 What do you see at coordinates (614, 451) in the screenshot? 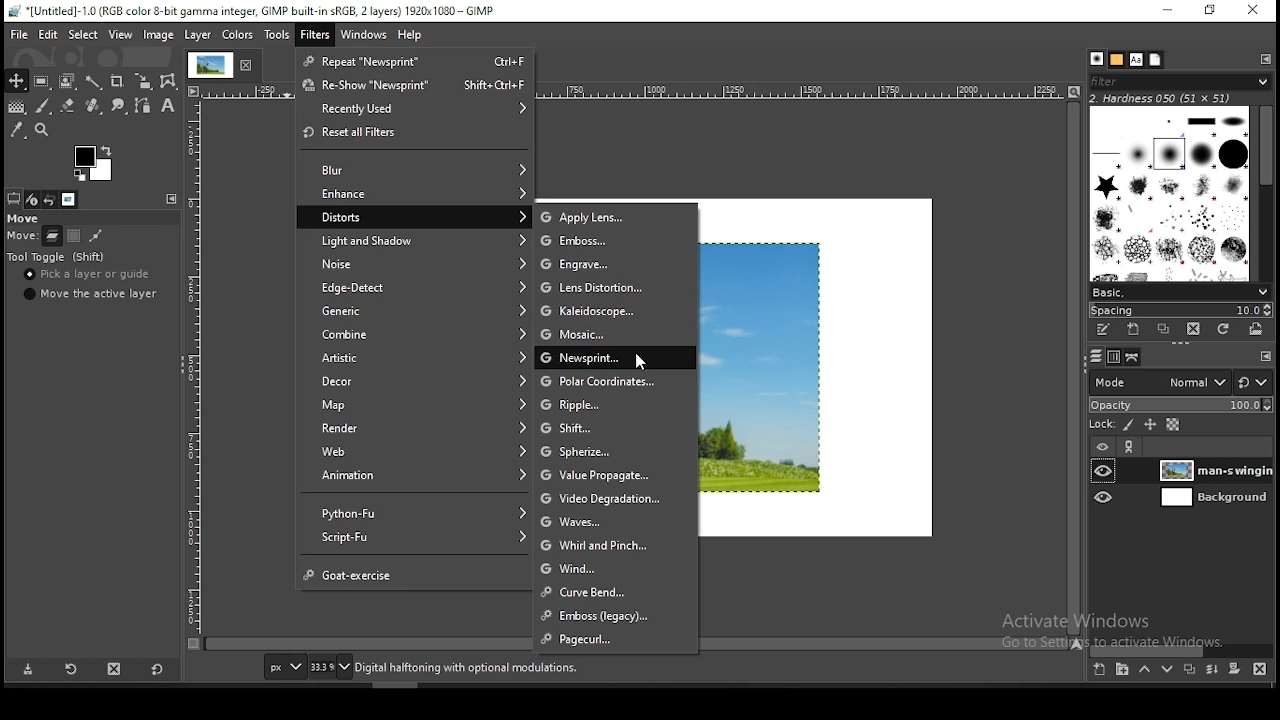
I see `spherize` at bounding box center [614, 451].